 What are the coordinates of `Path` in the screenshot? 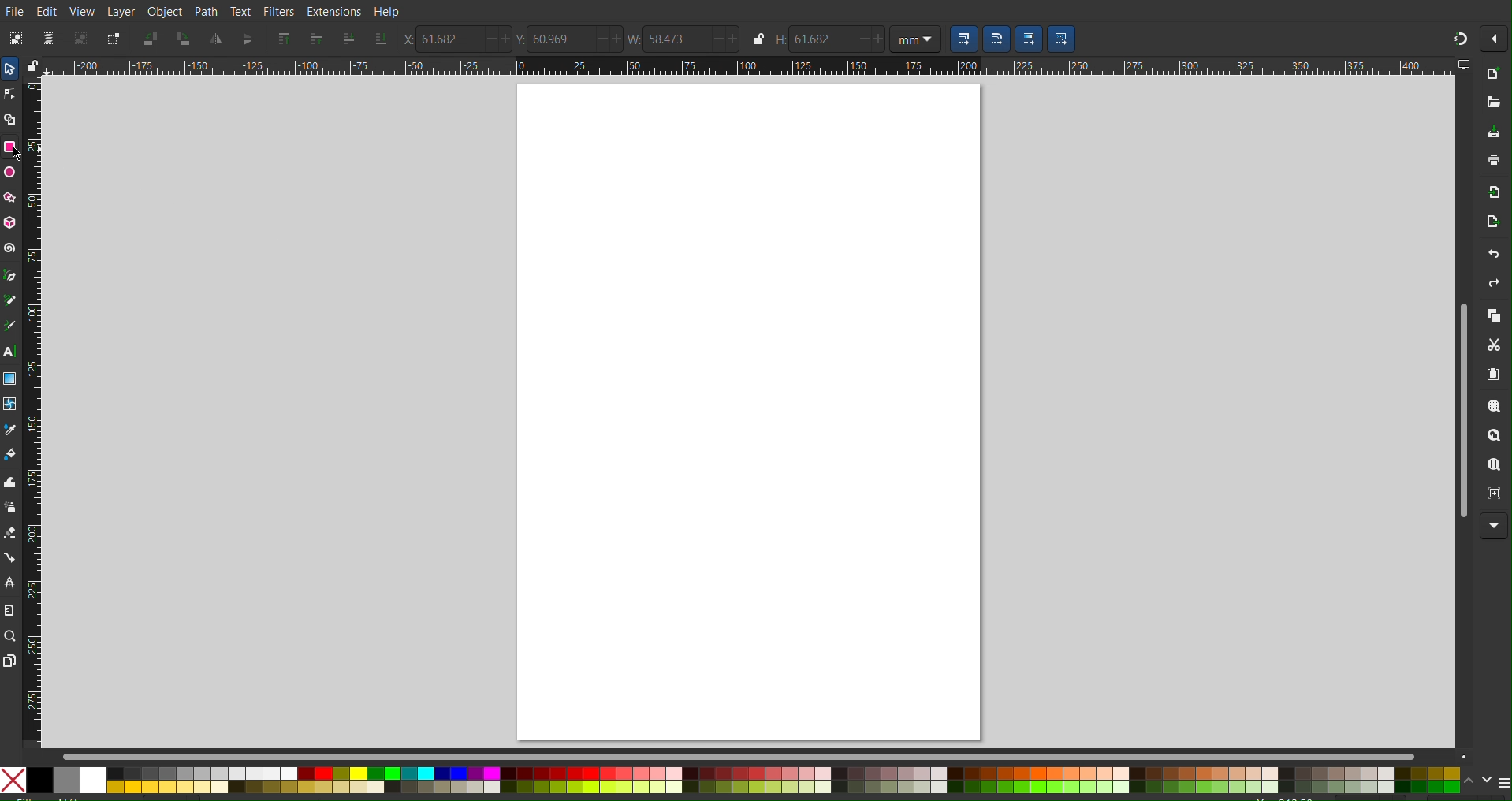 It's located at (204, 12).